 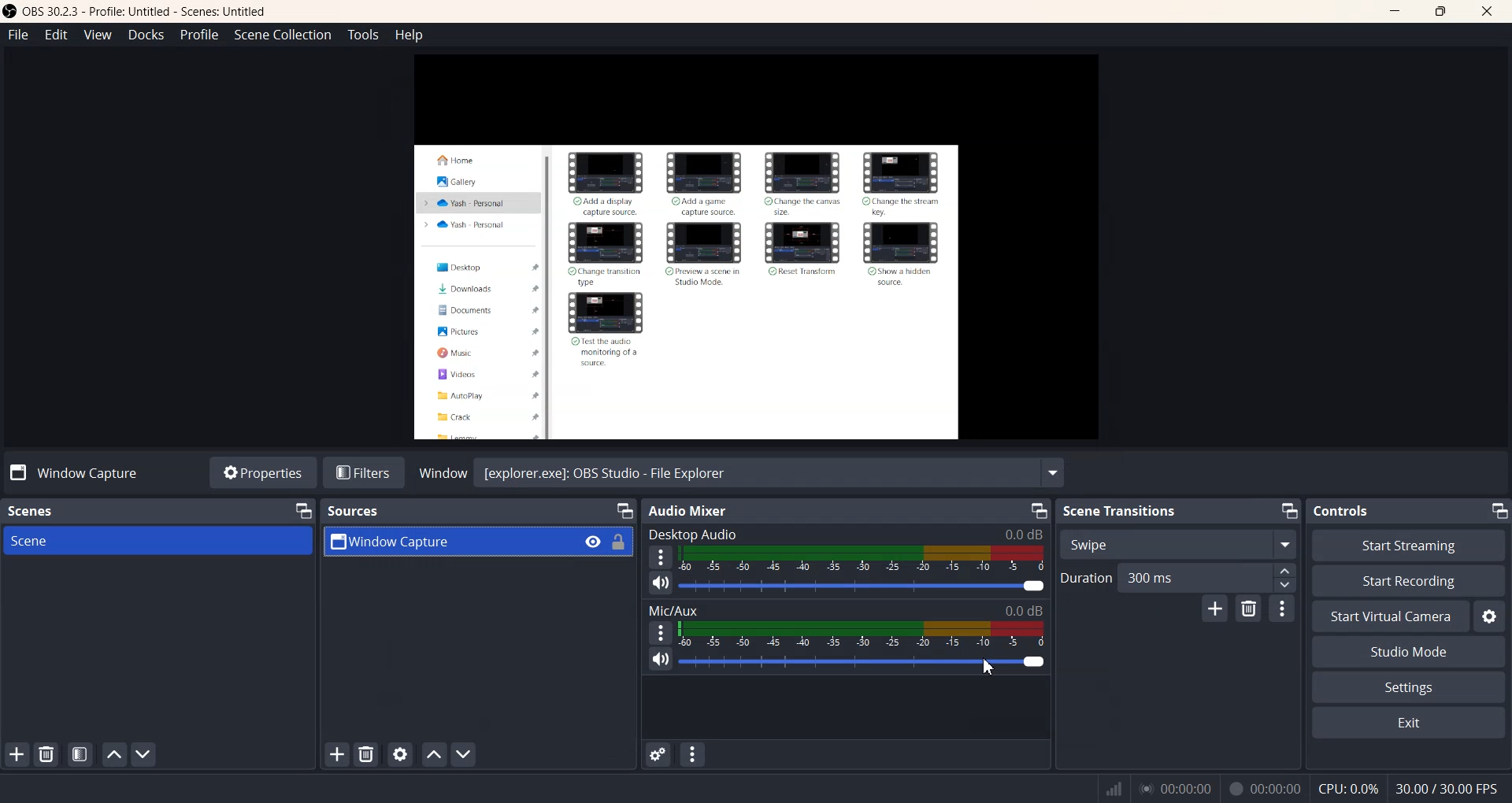 I want to click on Scene Transitions, so click(x=1121, y=510).